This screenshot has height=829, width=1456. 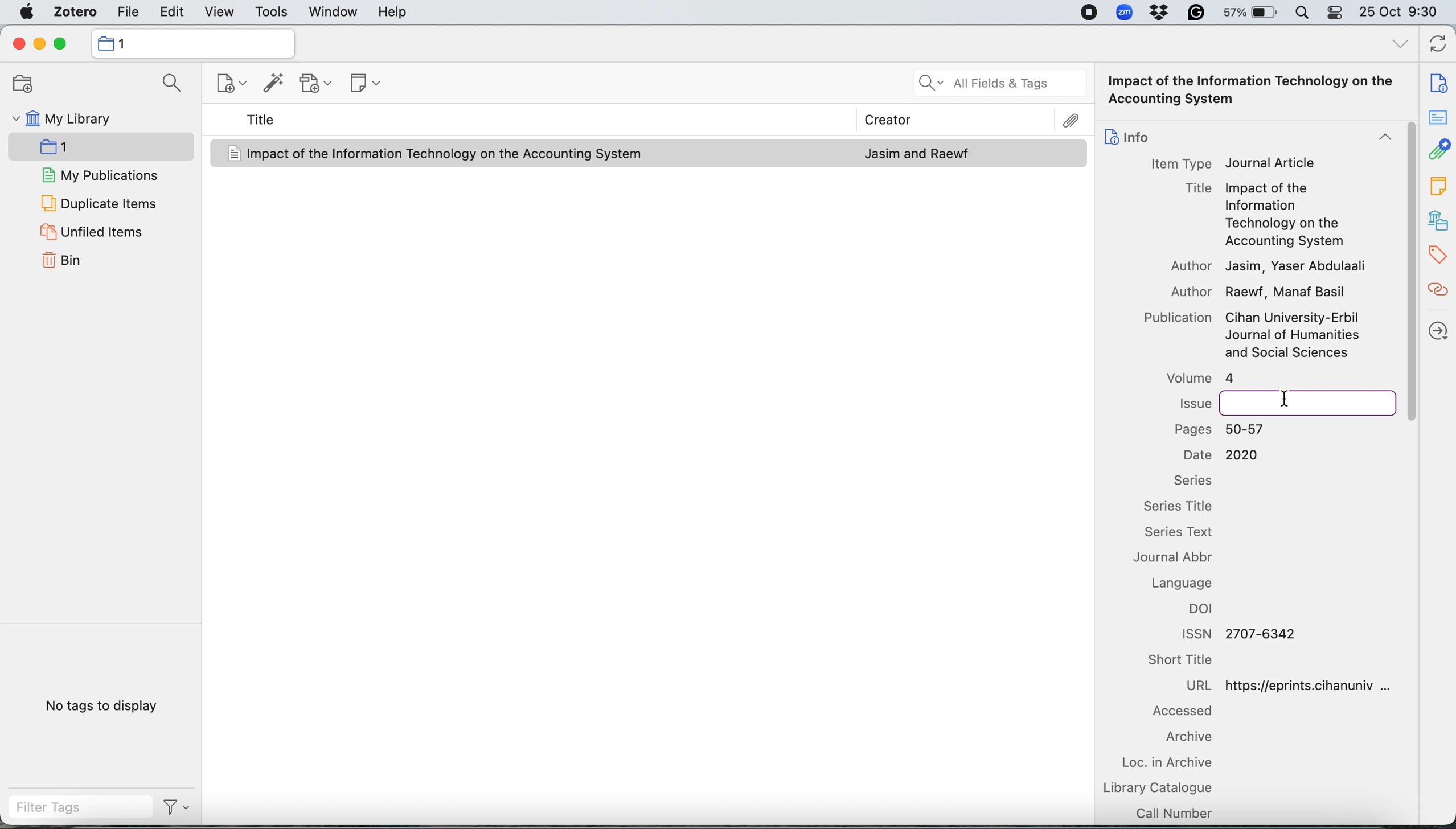 What do you see at coordinates (1305, 404) in the screenshot?
I see `Input field` at bounding box center [1305, 404].